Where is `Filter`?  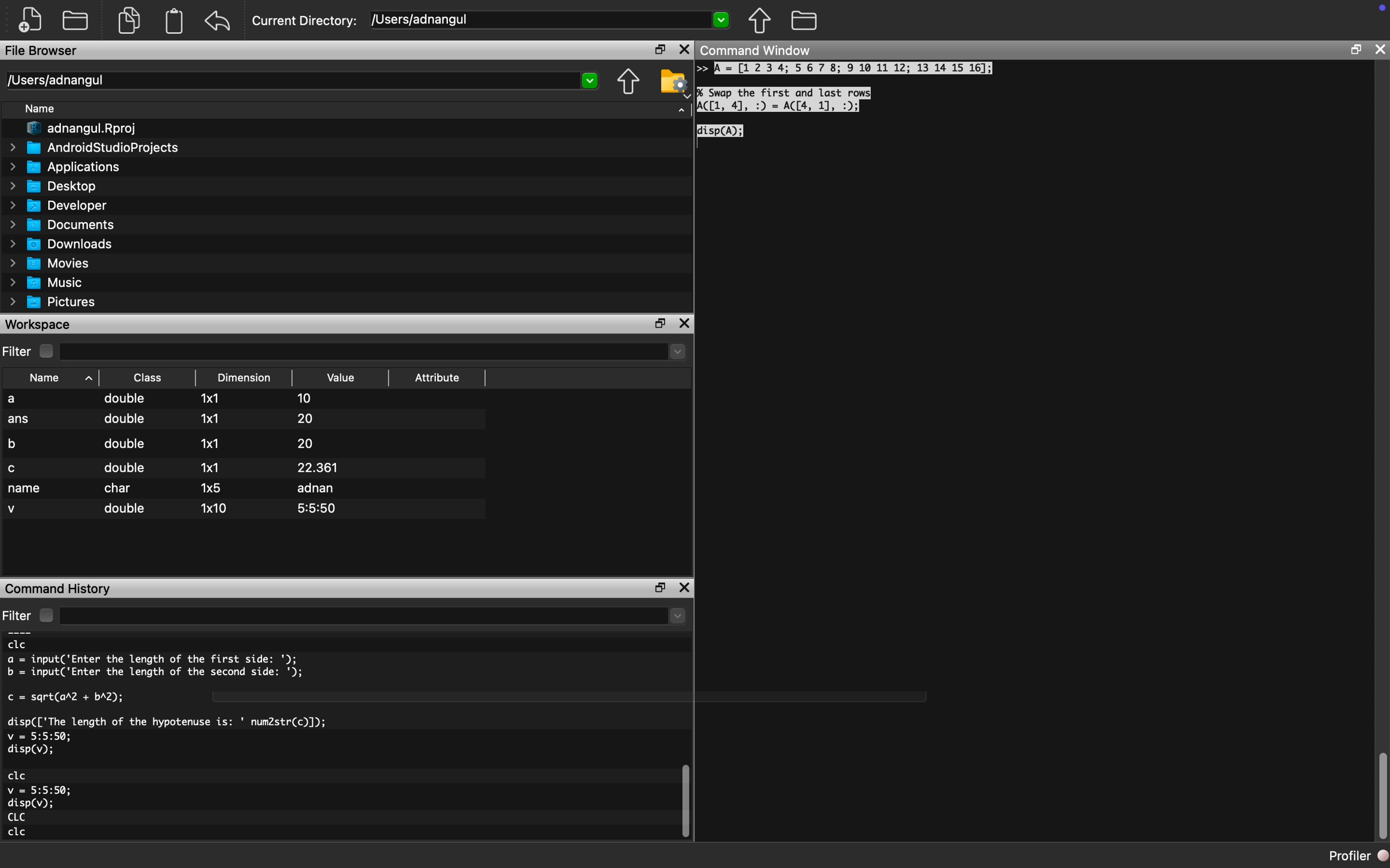 Filter is located at coordinates (33, 614).